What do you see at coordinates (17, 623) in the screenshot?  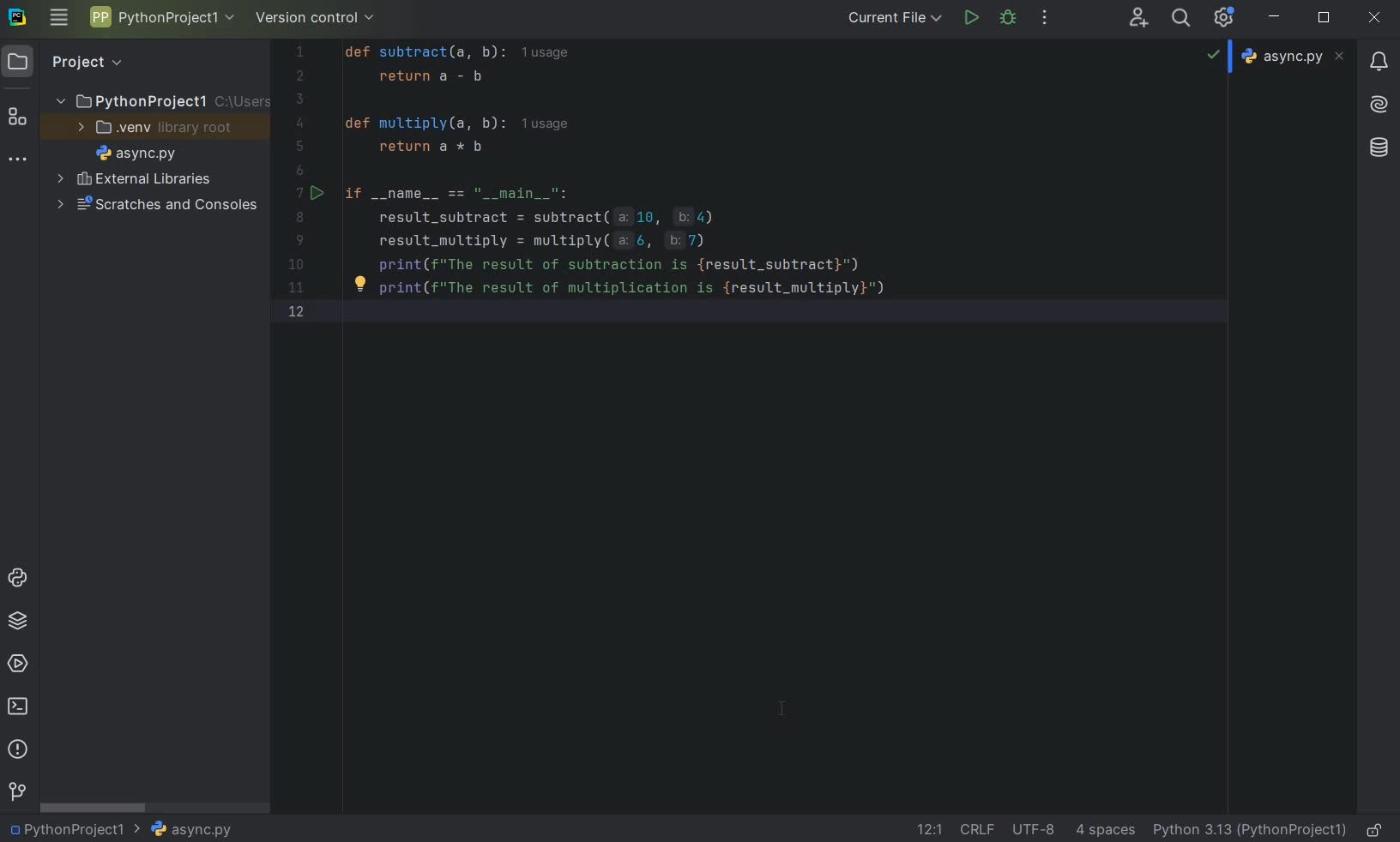 I see `PYTHON PACKAGES` at bounding box center [17, 623].